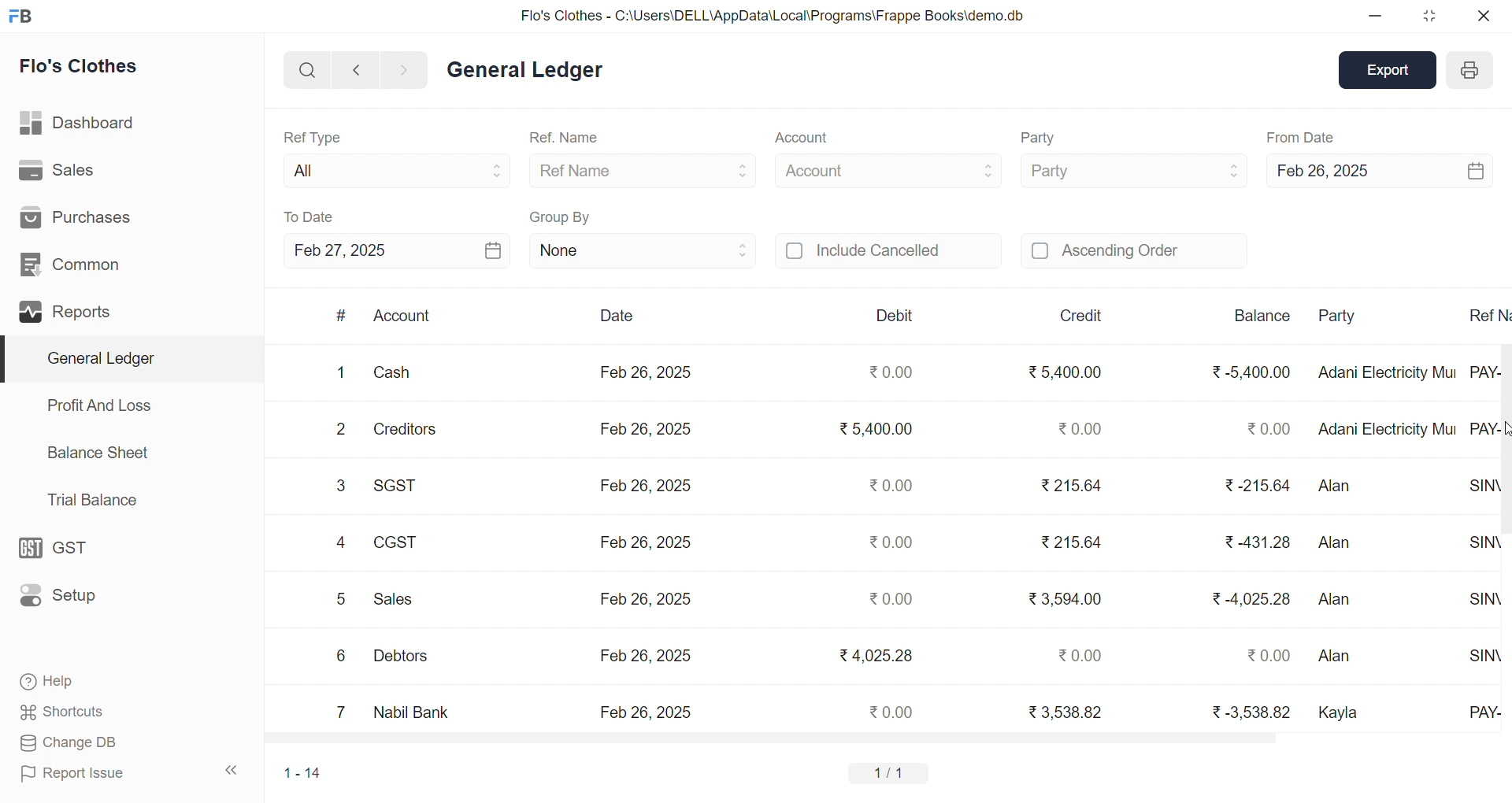 This screenshot has width=1512, height=803. I want to click on Trial Balance, so click(94, 501).